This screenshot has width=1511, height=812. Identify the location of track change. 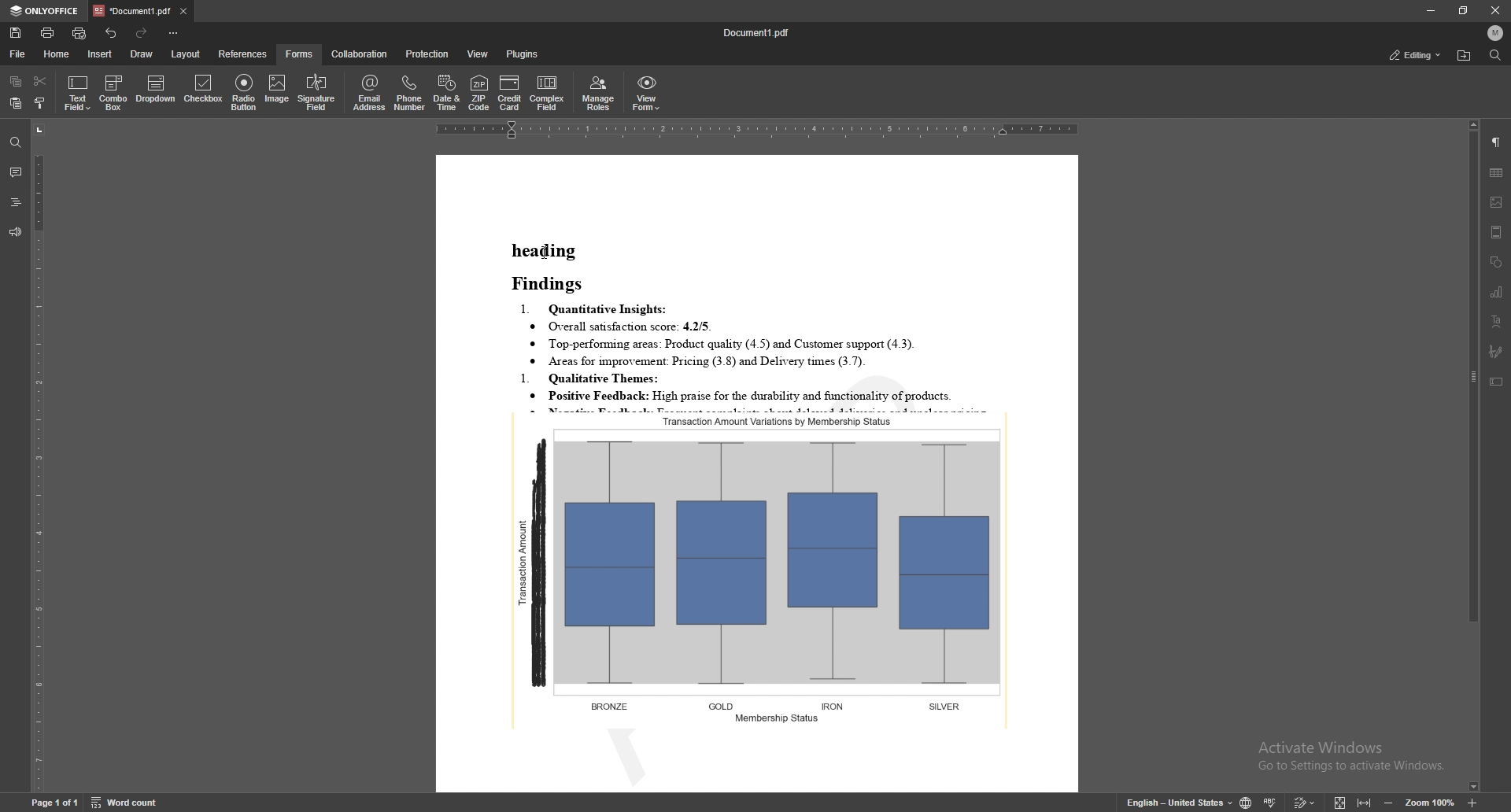
(1304, 802).